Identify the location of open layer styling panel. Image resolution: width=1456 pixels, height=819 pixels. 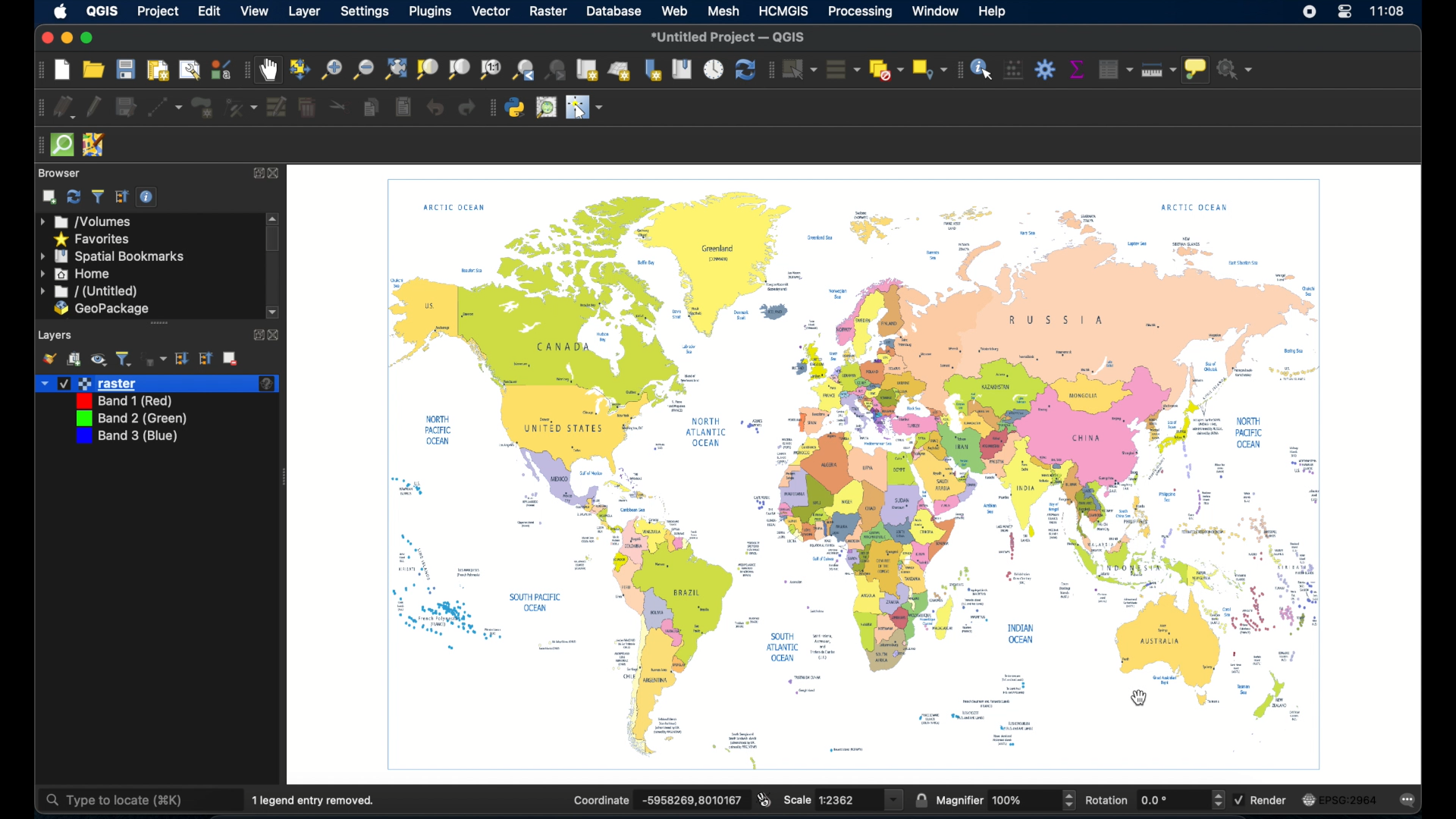
(49, 358).